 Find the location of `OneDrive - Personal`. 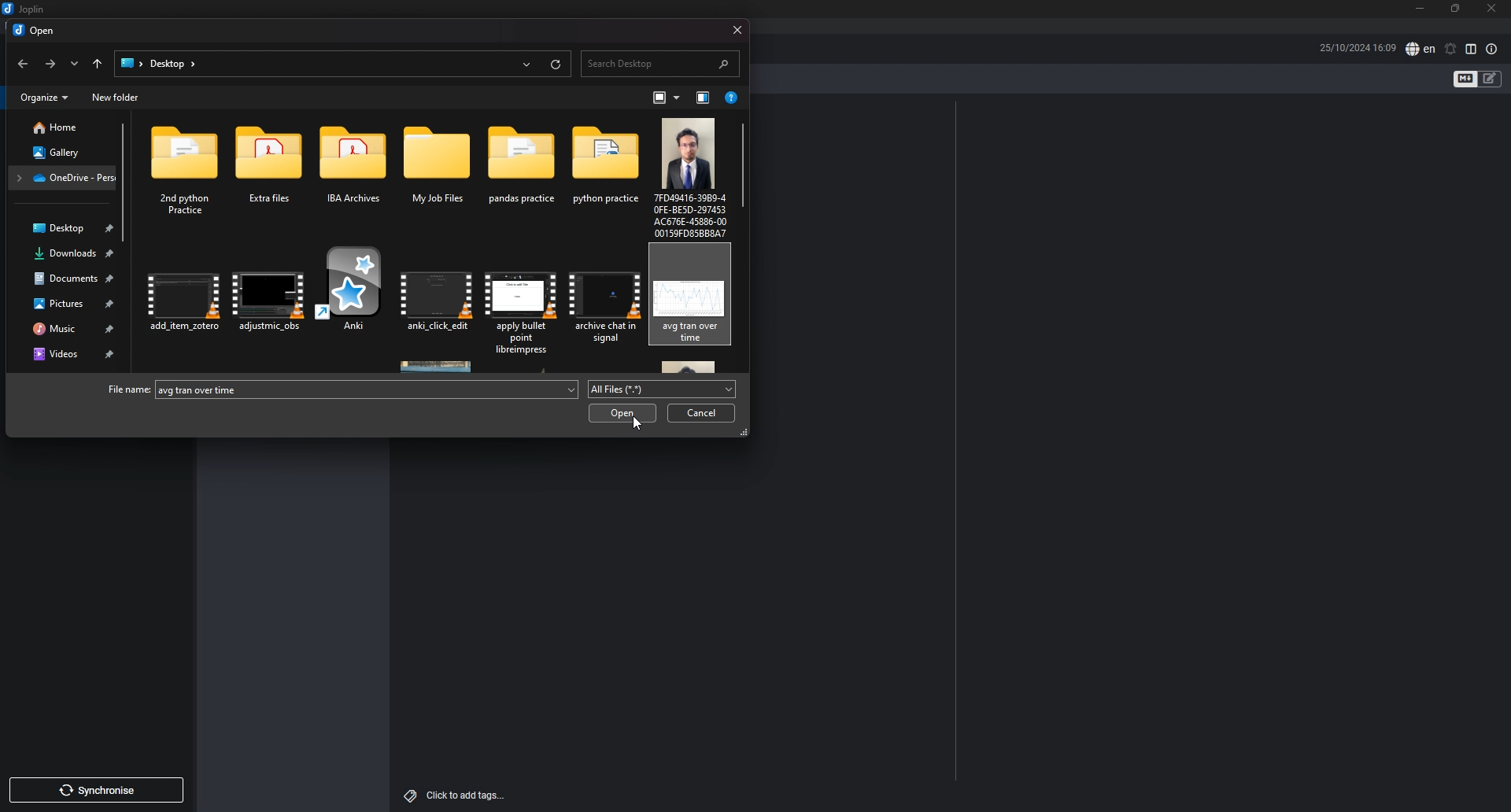

OneDrive - Personal is located at coordinates (63, 178).